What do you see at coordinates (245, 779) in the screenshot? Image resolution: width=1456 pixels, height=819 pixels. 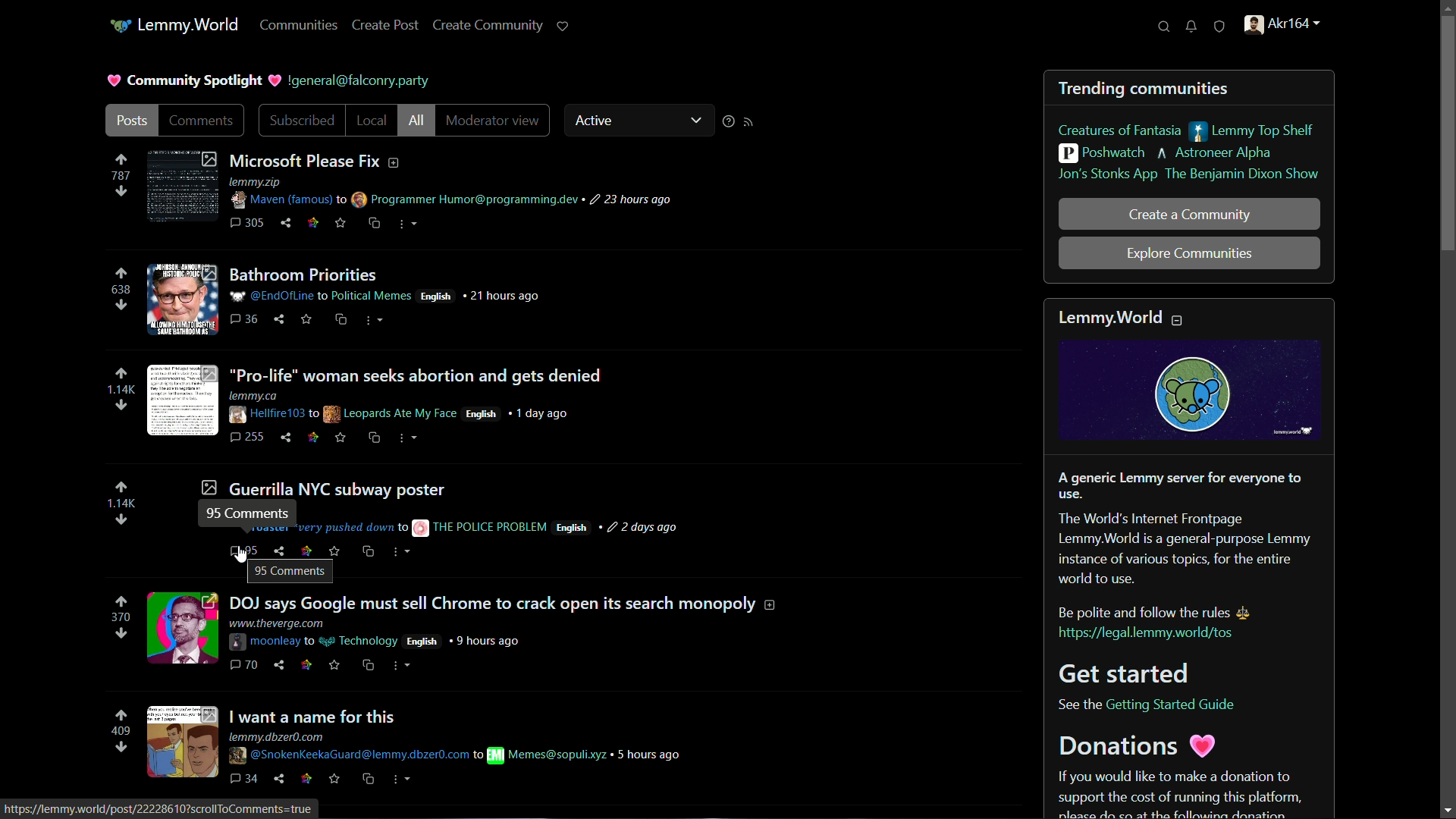 I see `34 comments` at bounding box center [245, 779].